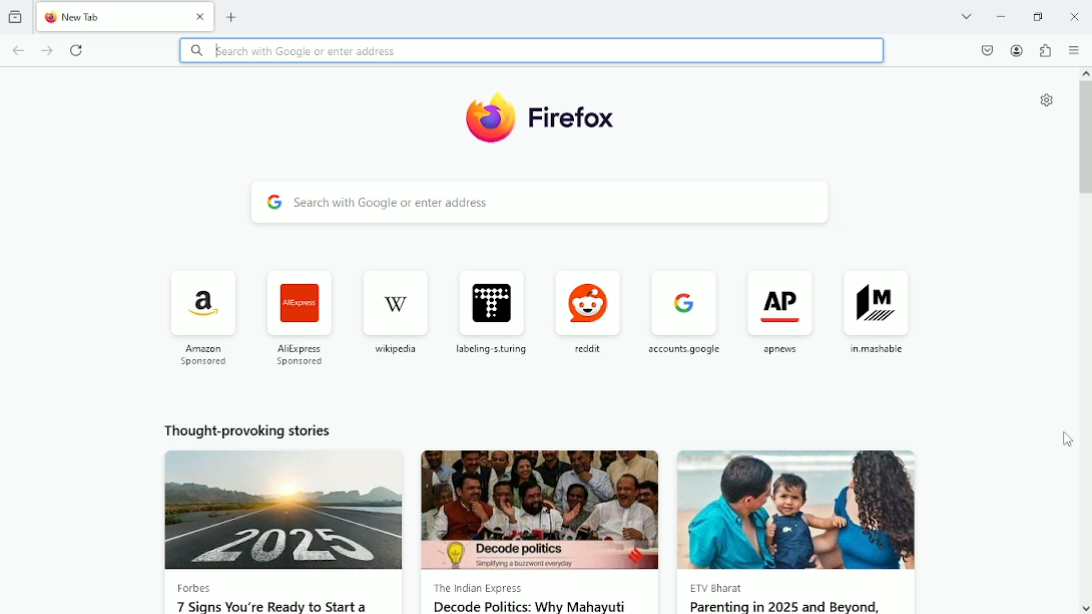 Image resolution: width=1092 pixels, height=614 pixels. What do you see at coordinates (282, 510) in the screenshot?
I see `image` at bounding box center [282, 510].